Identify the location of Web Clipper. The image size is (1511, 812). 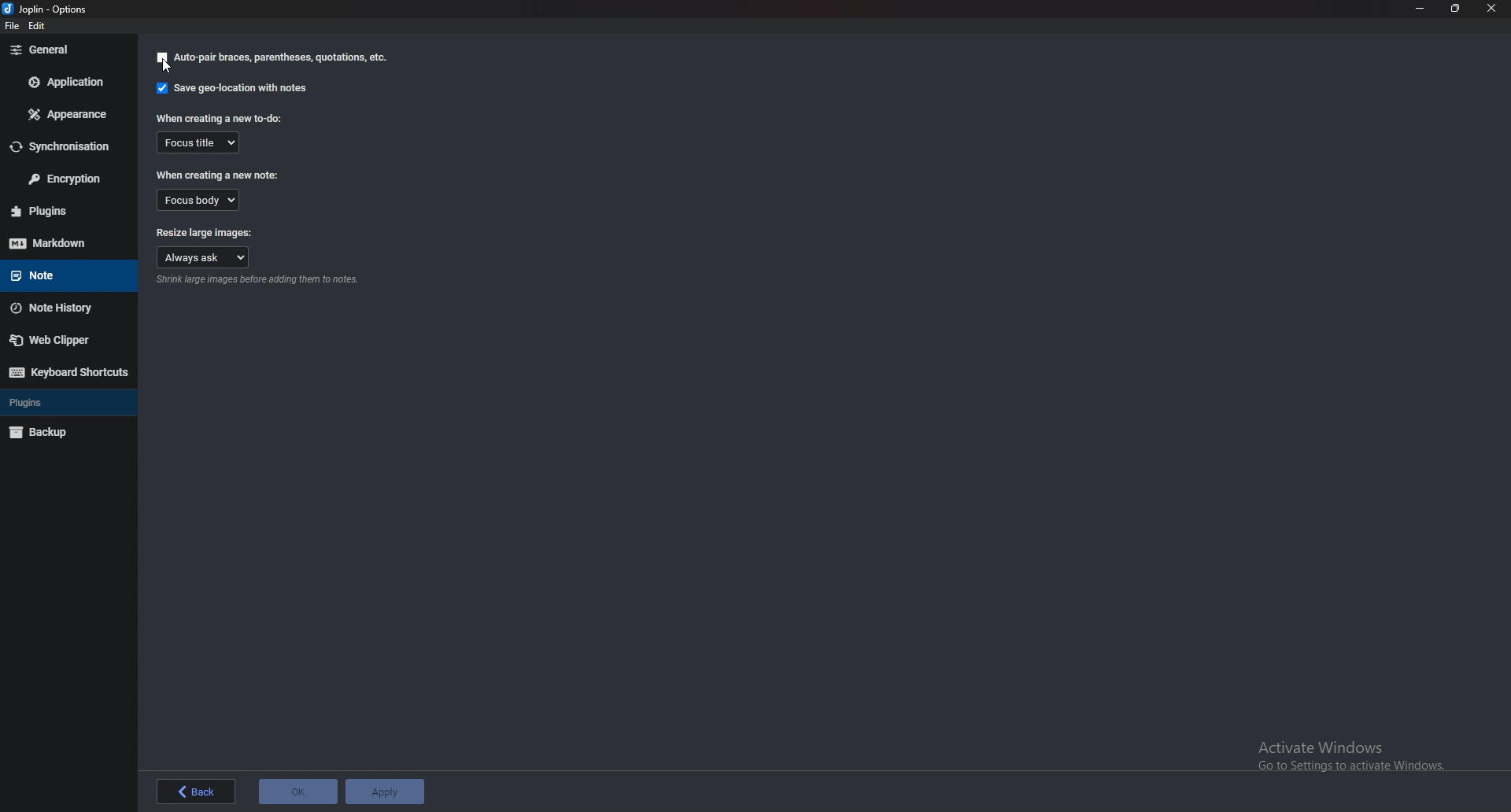
(64, 341).